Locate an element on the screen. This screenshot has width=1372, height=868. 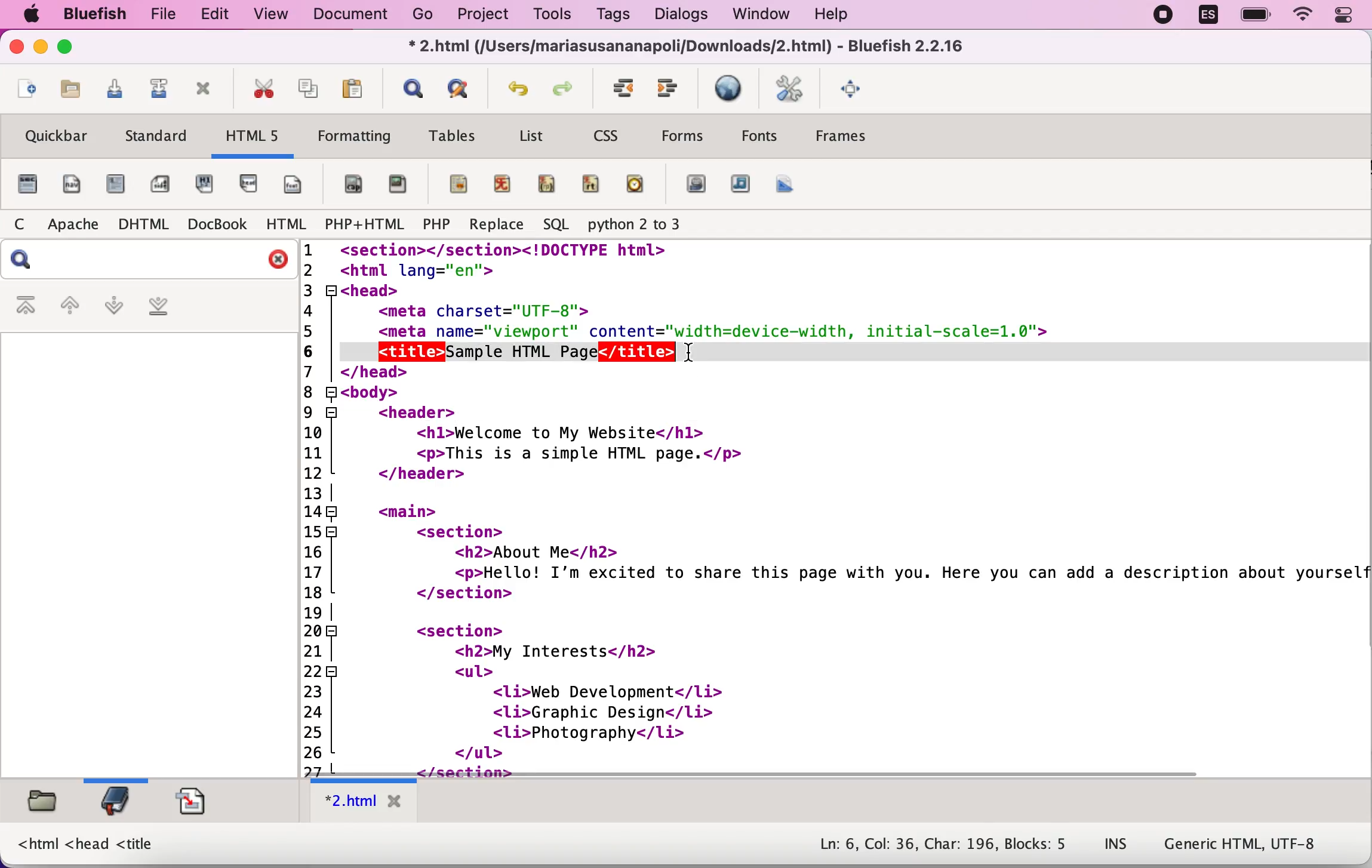
HTML code for a webpage about a person describing their interests in a list format. Their hobbies include web development, graphic design, and photography. is located at coordinates (836, 502).